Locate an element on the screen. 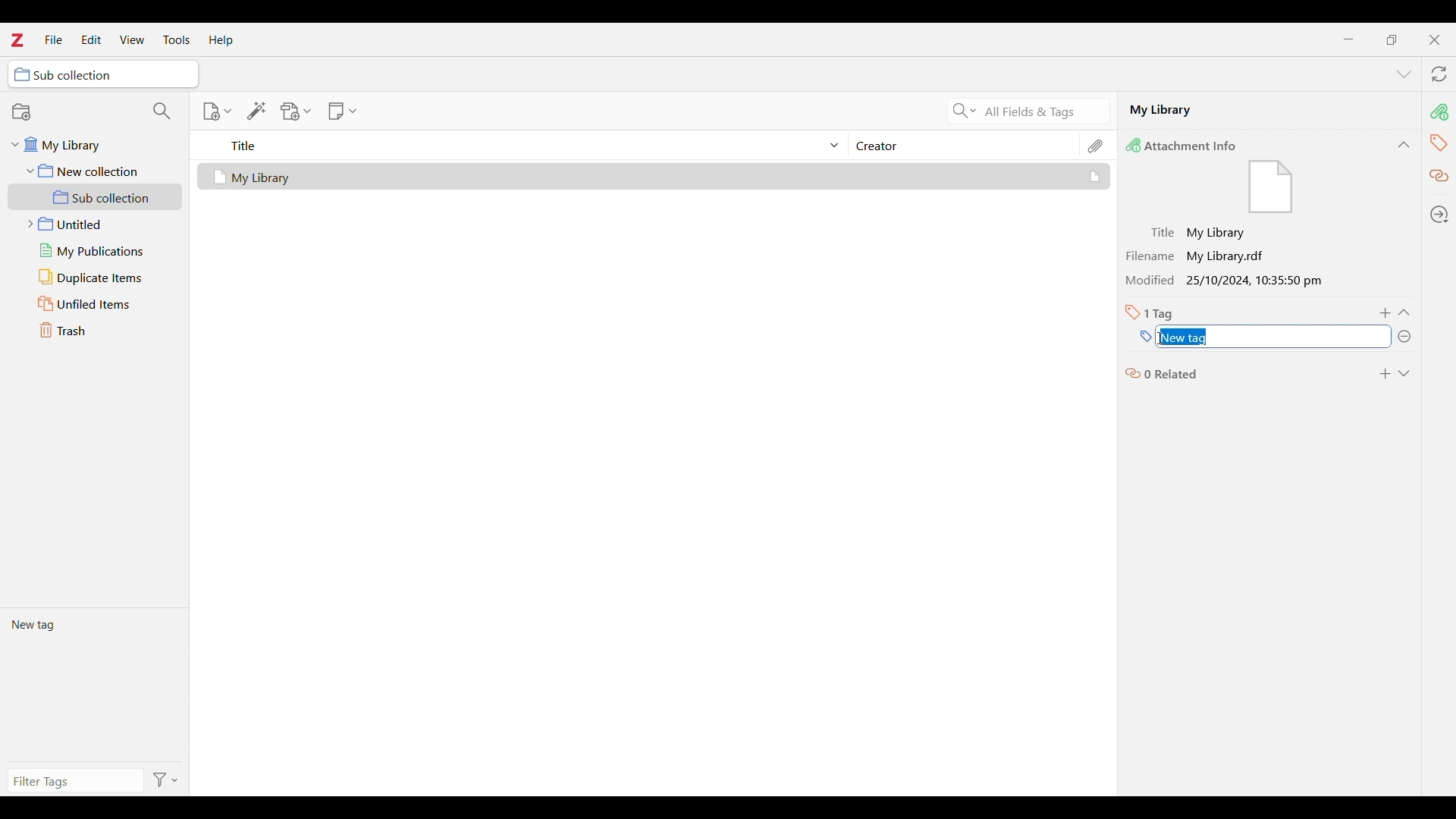  All fields and tags search criteria selected is located at coordinates (1043, 112).